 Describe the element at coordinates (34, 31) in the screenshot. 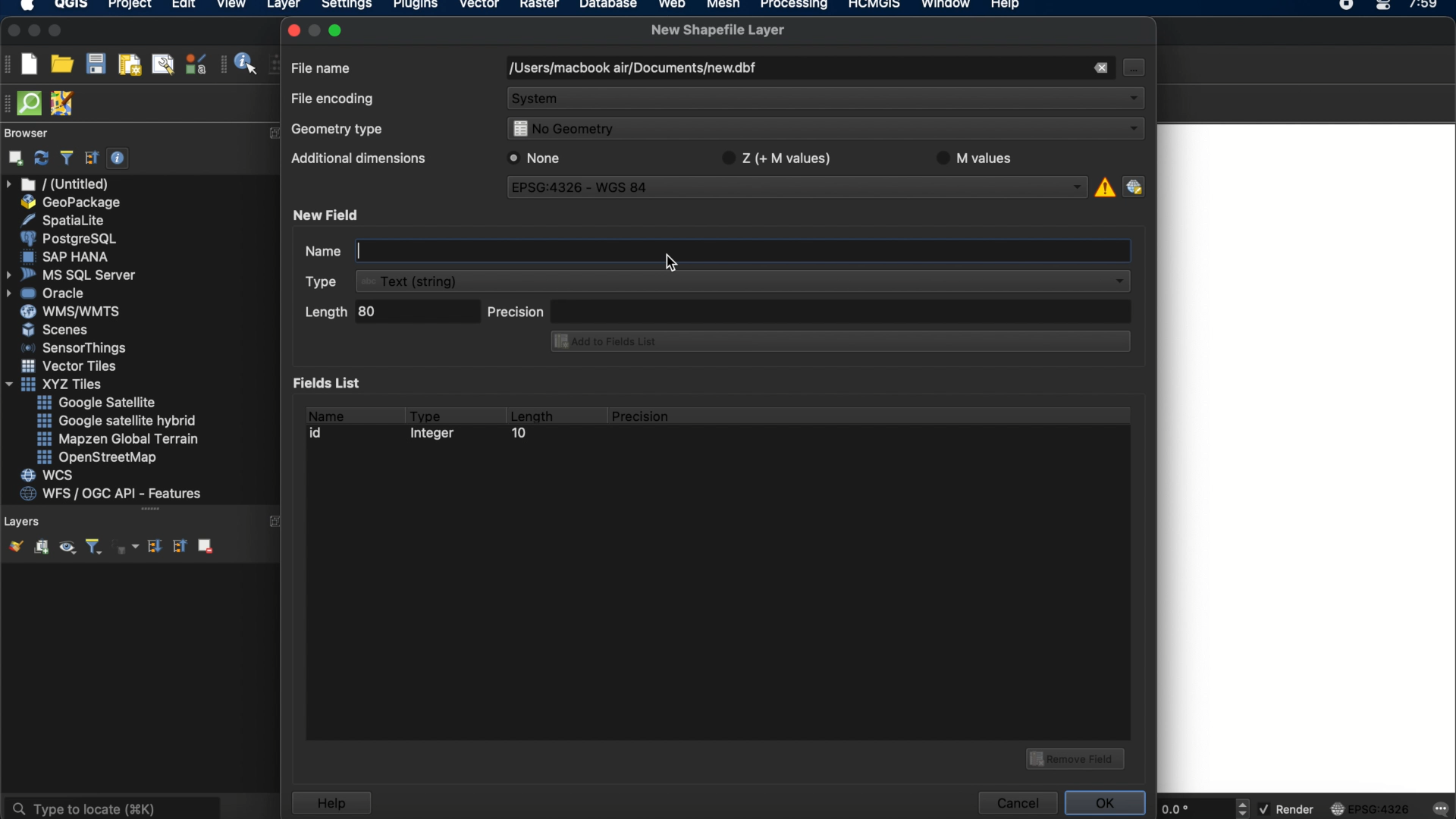

I see `minimize` at that location.